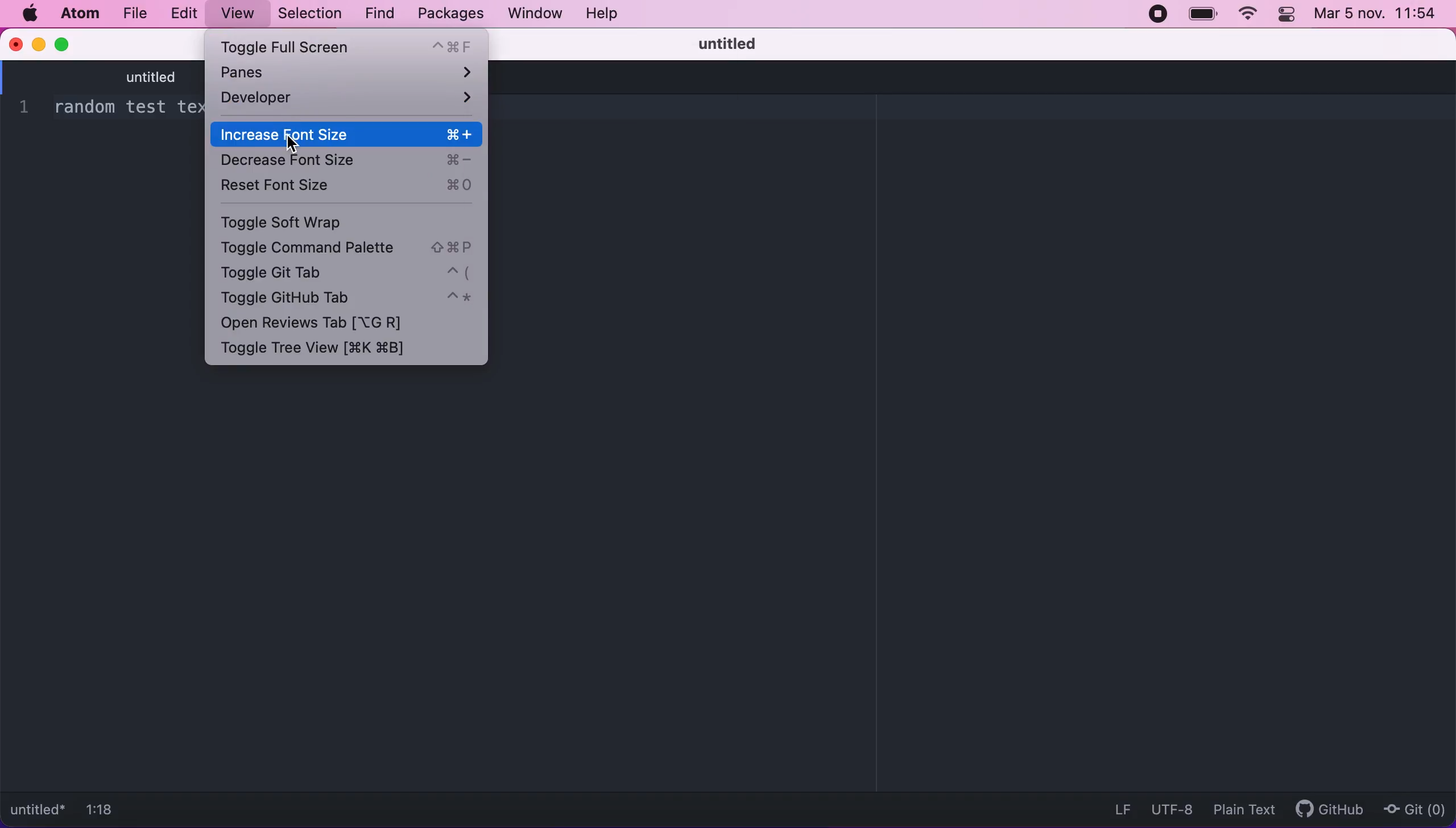 The height and width of the screenshot is (828, 1456). Describe the element at coordinates (238, 14) in the screenshot. I see `view` at that location.